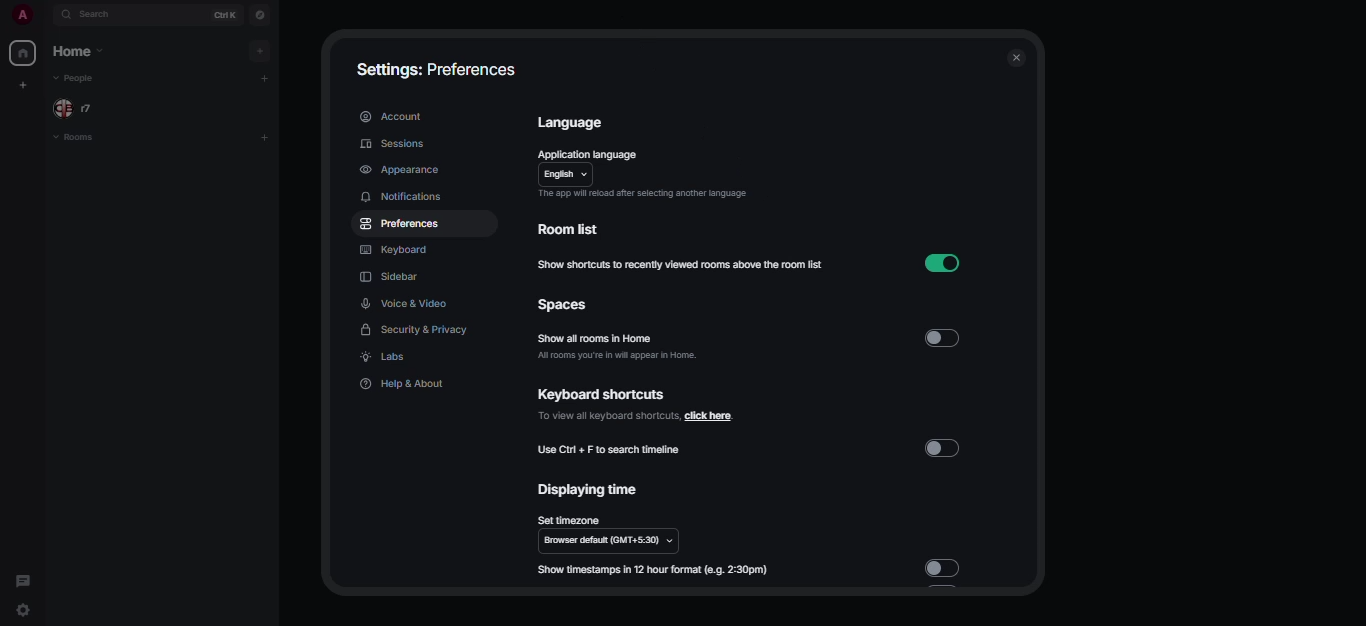 This screenshot has width=1366, height=626. What do you see at coordinates (78, 109) in the screenshot?
I see `people` at bounding box center [78, 109].